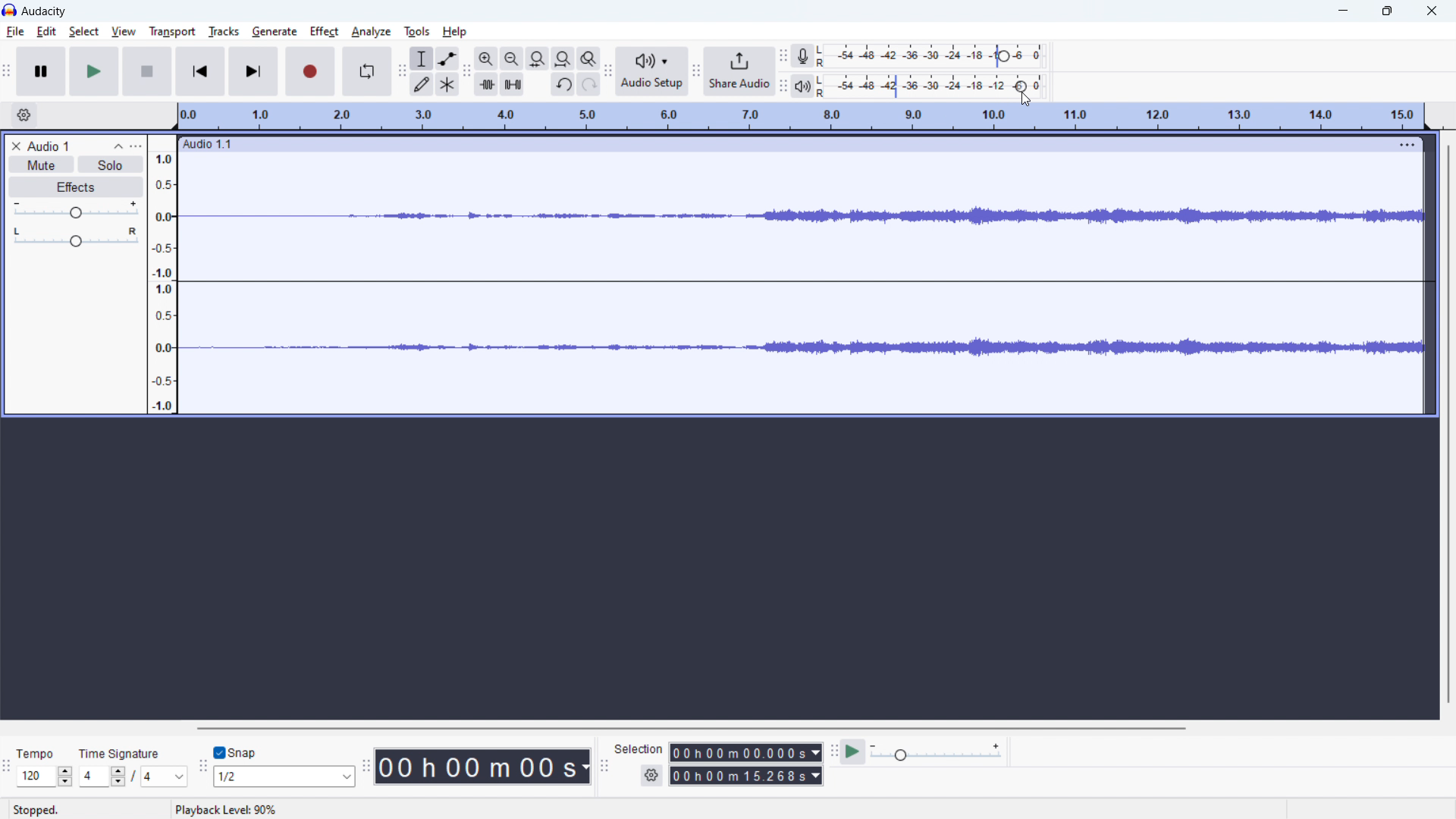 Image resolution: width=1456 pixels, height=819 pixels. I want to click on multi tool, so click(447, 84).